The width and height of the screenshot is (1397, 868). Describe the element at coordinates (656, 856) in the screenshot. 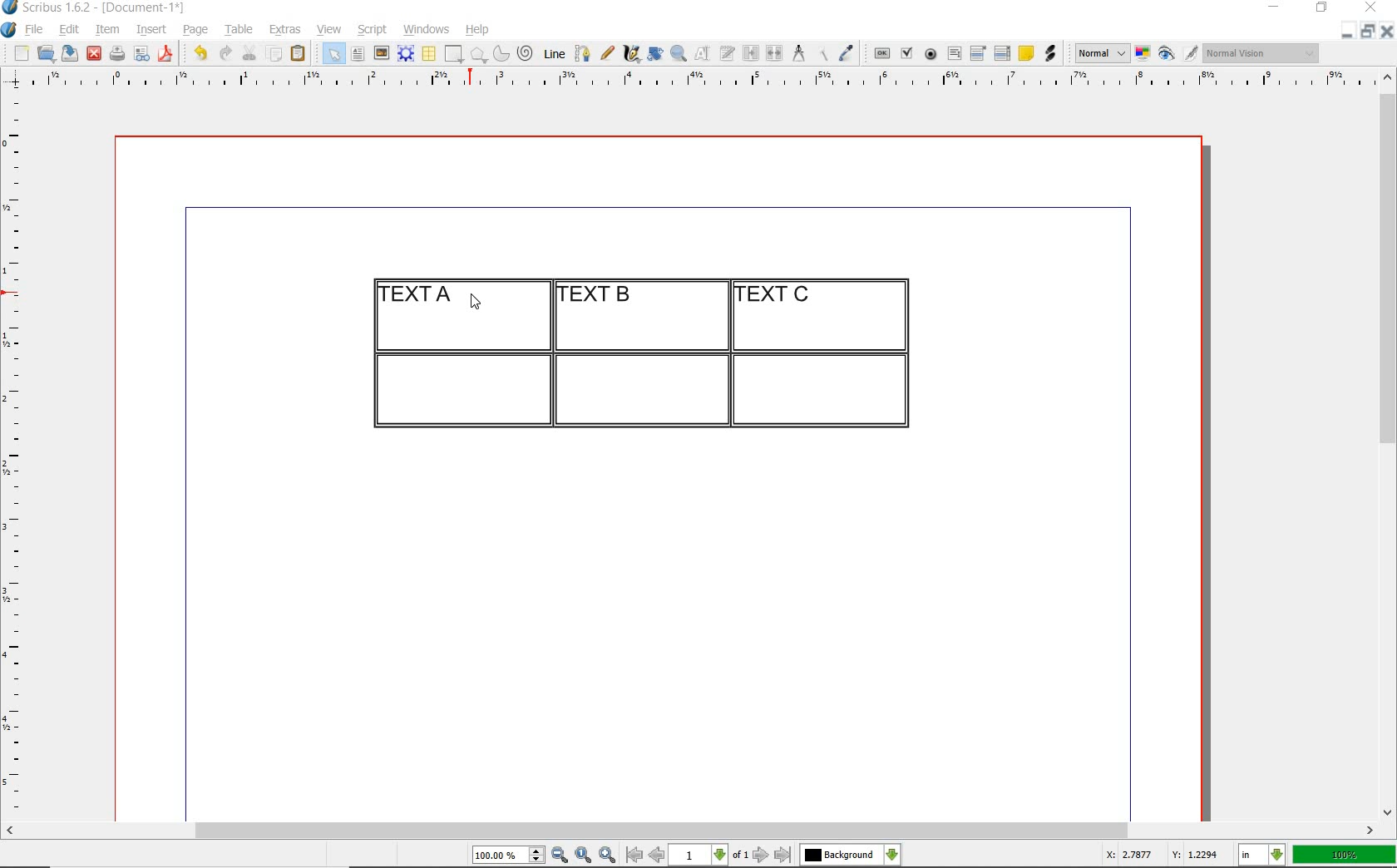

I see `go to previous page` at that location.